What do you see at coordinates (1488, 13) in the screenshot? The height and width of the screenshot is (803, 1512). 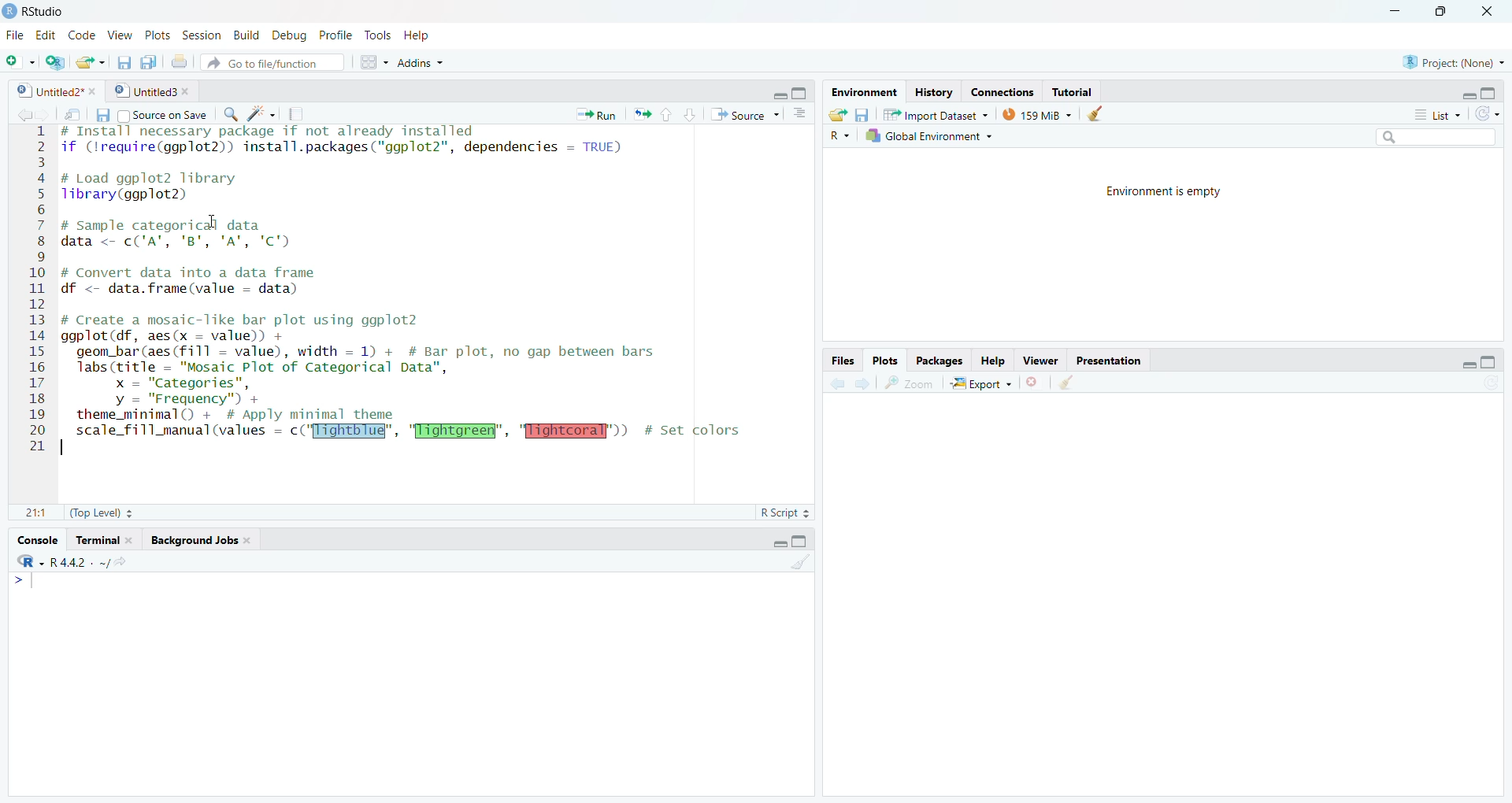 I see `Close` at bounding box center [1488, 13].